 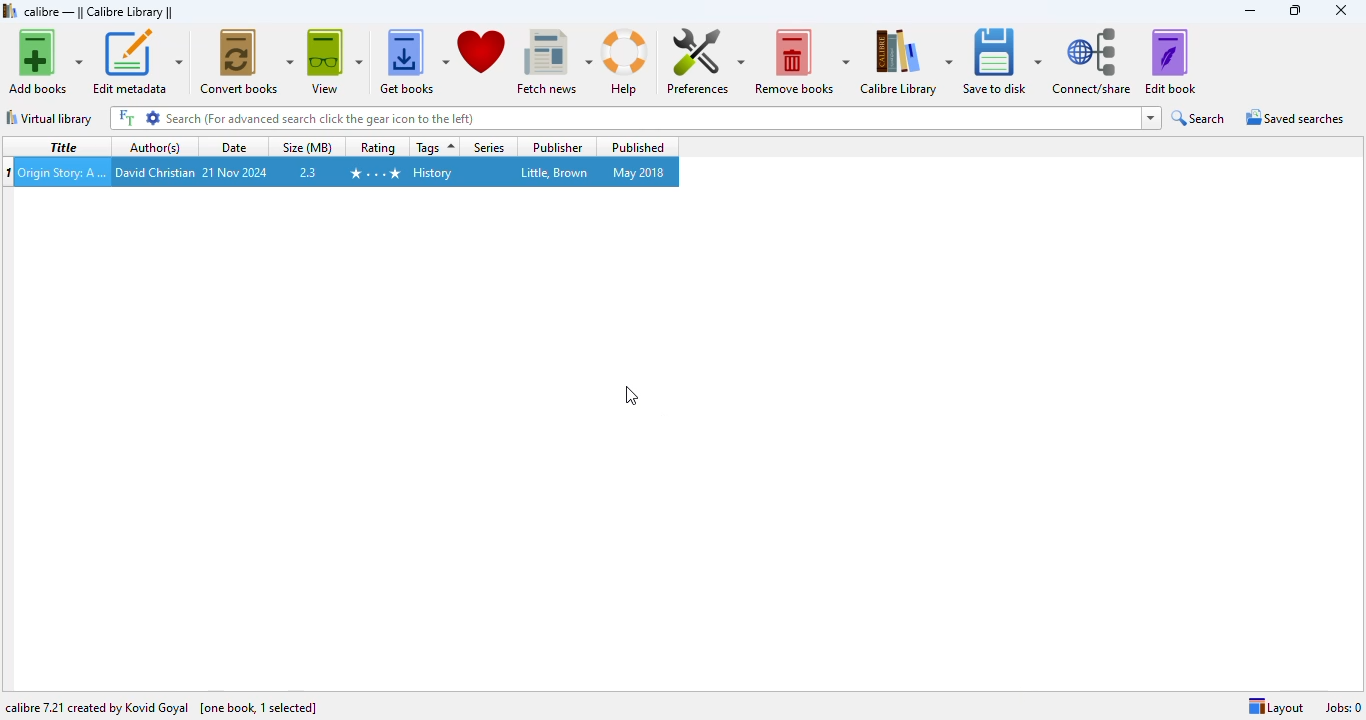 I want to click on 21 Nov 2024, so click(x=235, y=171).